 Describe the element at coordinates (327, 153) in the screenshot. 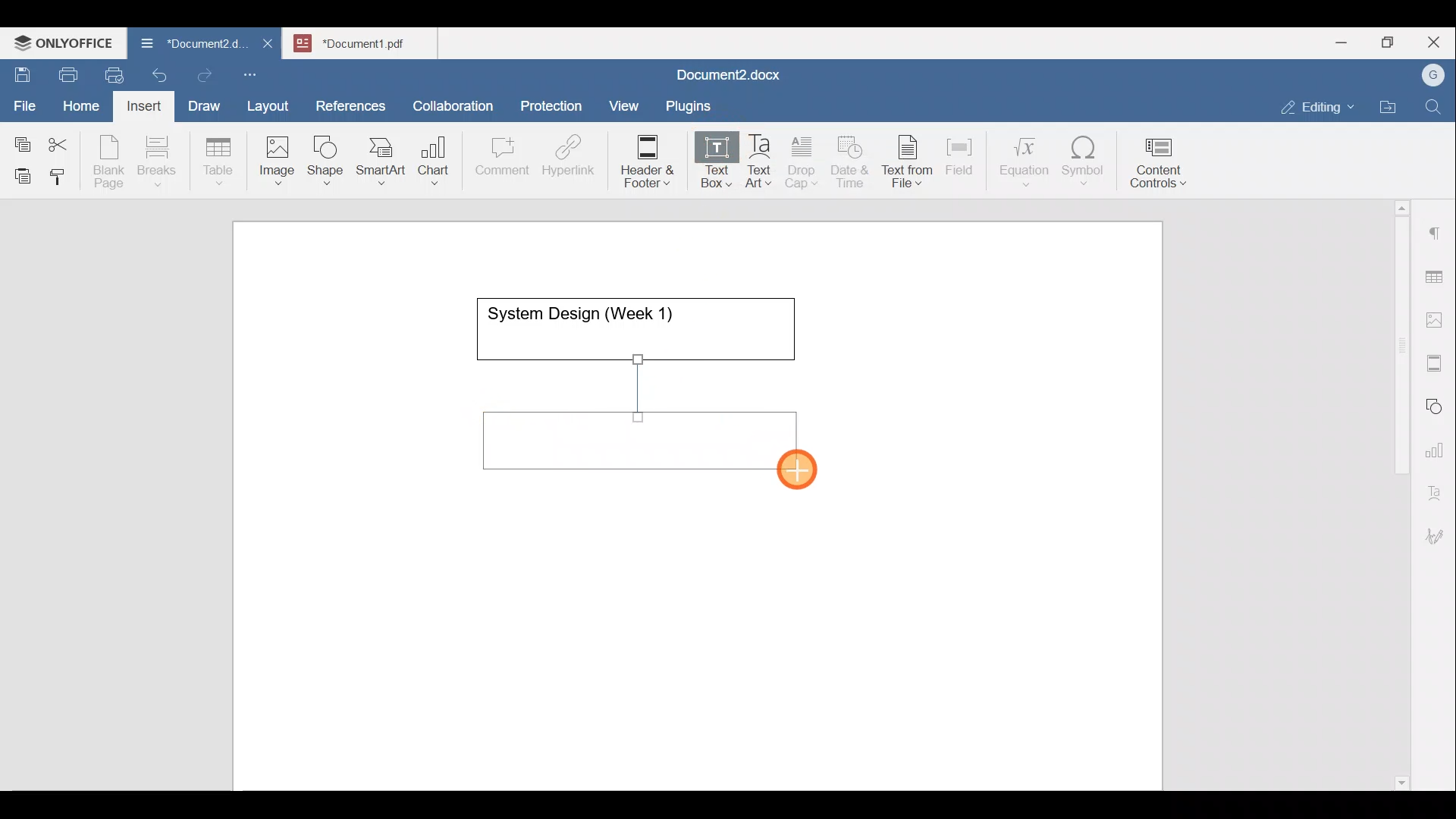

I see `Shape` at that location.